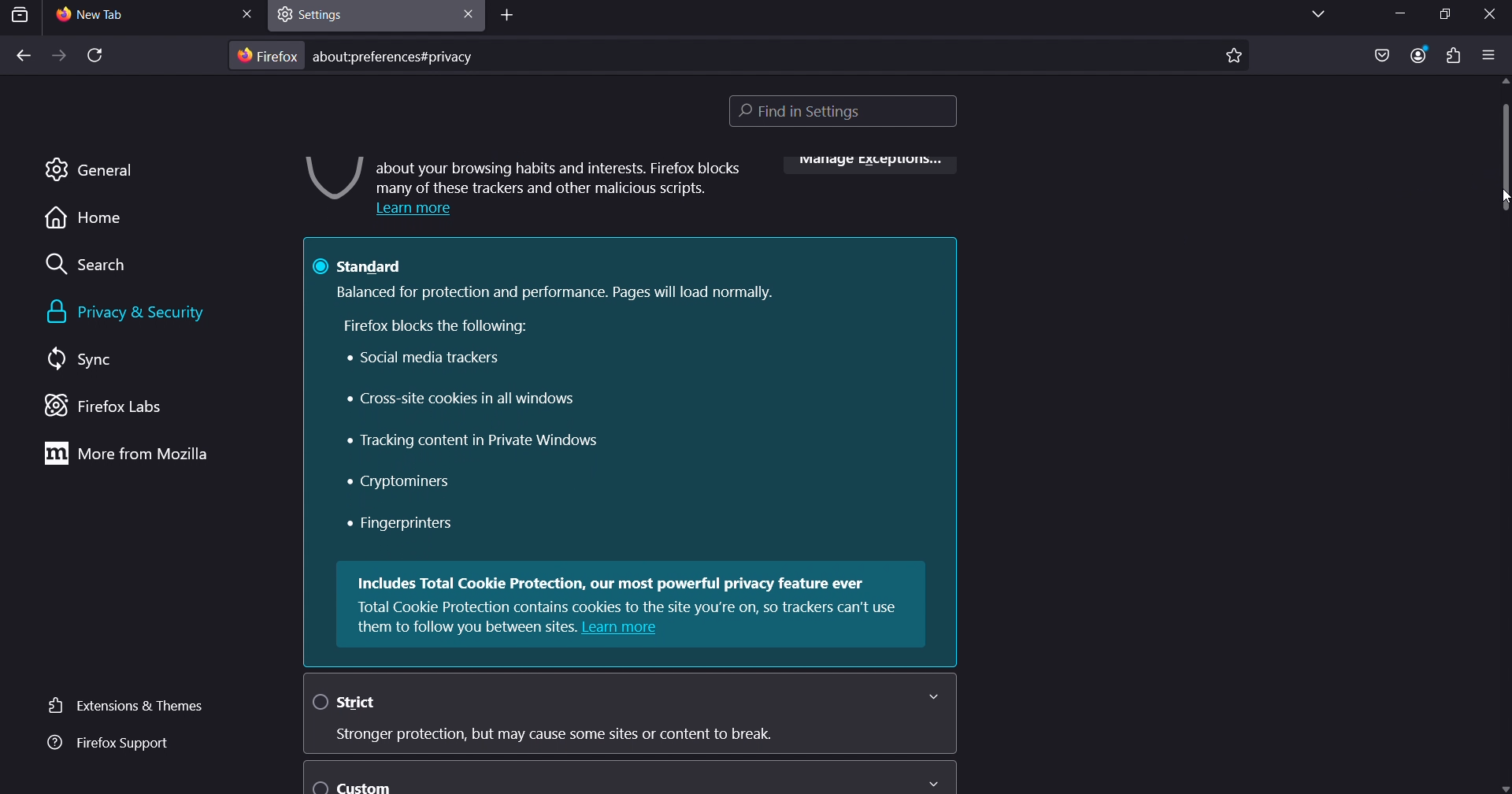  Describe the element at coordinates (1492, 13) in the screenshot. I see `close` at that location.